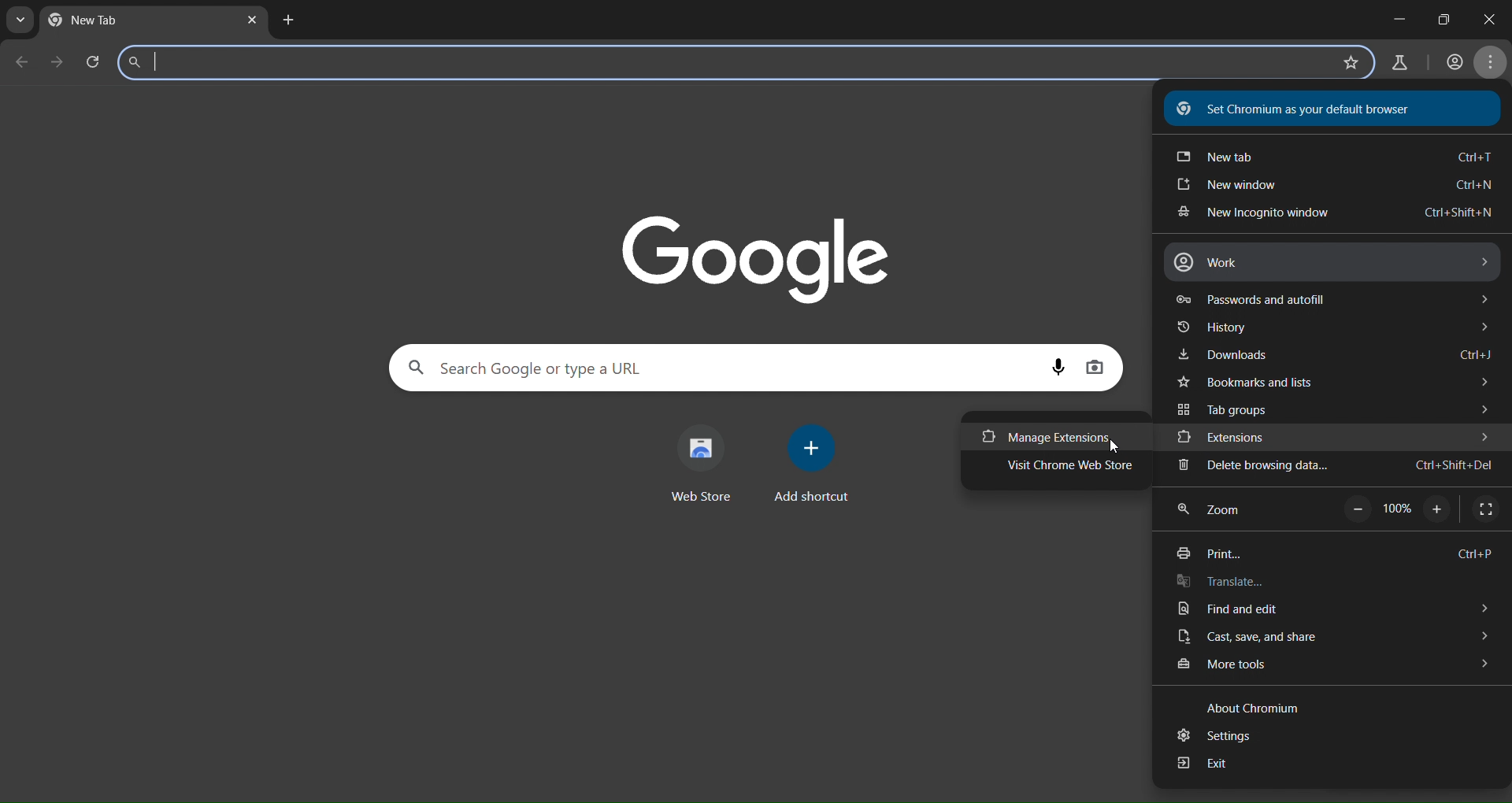 This screenshot has height=803, width=1512. What do you see at coordinates (1336, 667) in the screenshot?
I see `more tools` at bounding box center [1336, 667].